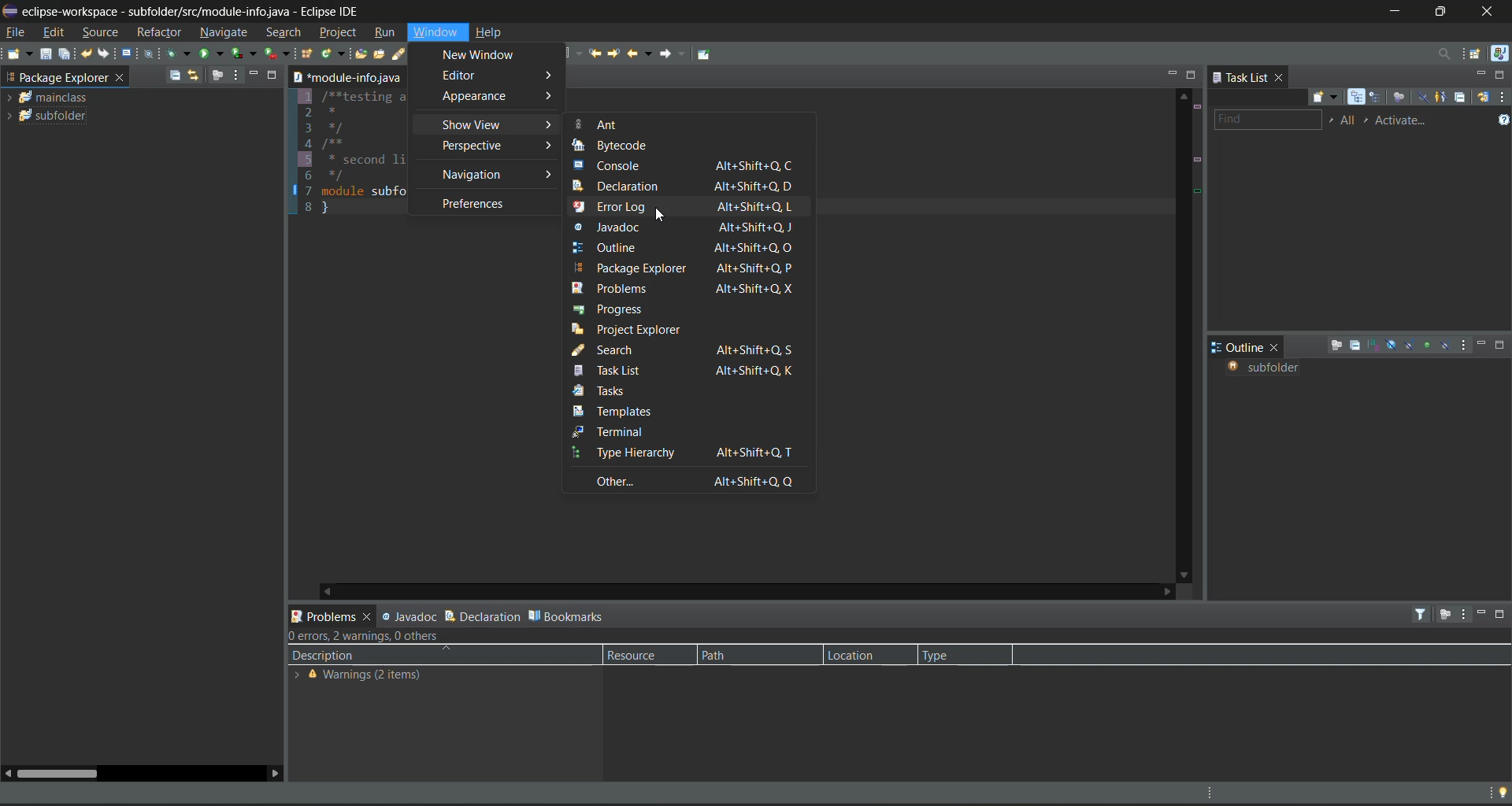 Image resolution: width=1512 pixels, height=806 pixels. Describe the element at coordinates (326, 613) in the screenshot. I see `problems` at that location.